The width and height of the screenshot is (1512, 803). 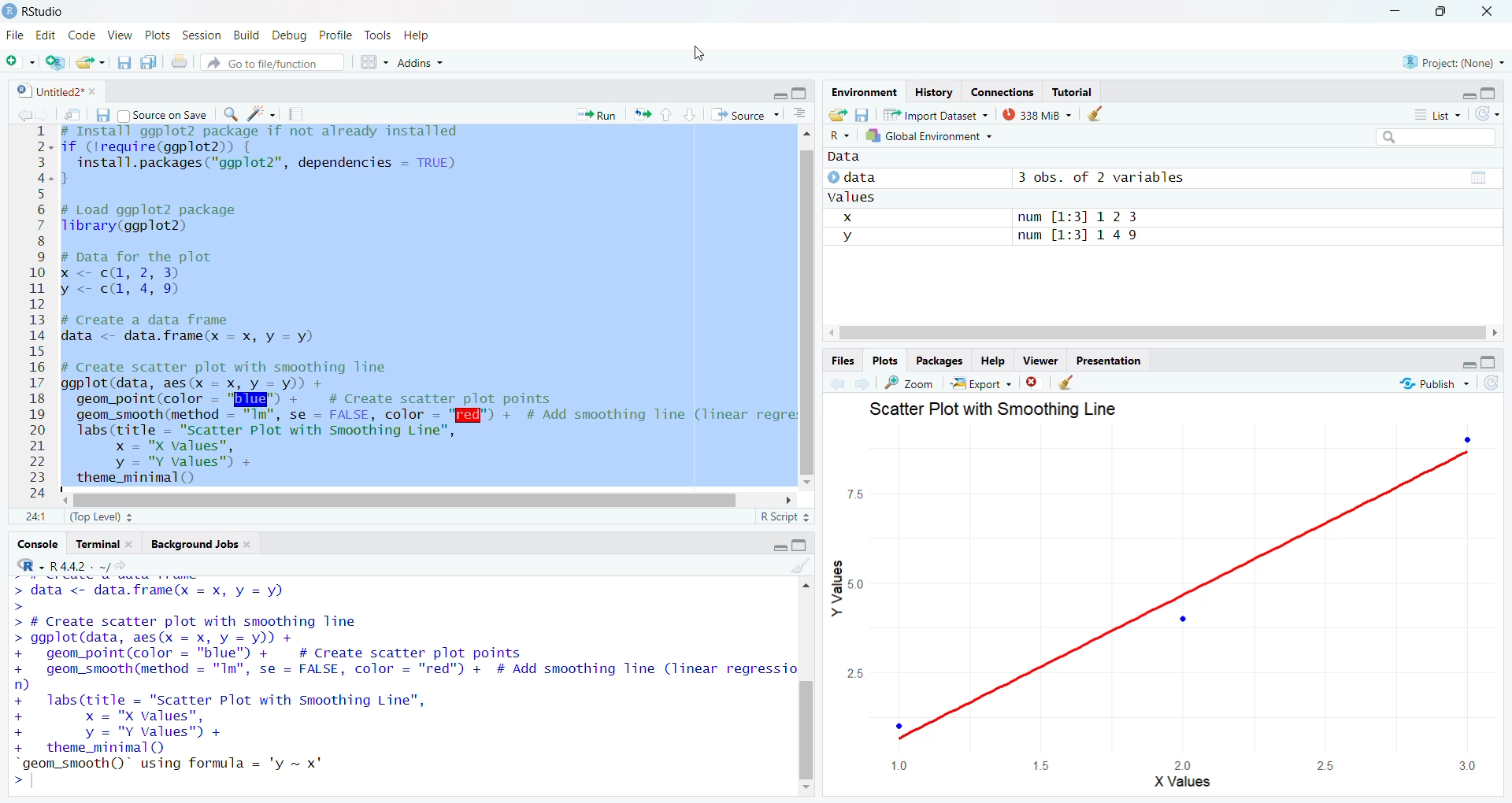 What do you see at coordinates (1429, 383) in the screenshot?
I see `“ Publish ~` at bounding box center [1429, 383].